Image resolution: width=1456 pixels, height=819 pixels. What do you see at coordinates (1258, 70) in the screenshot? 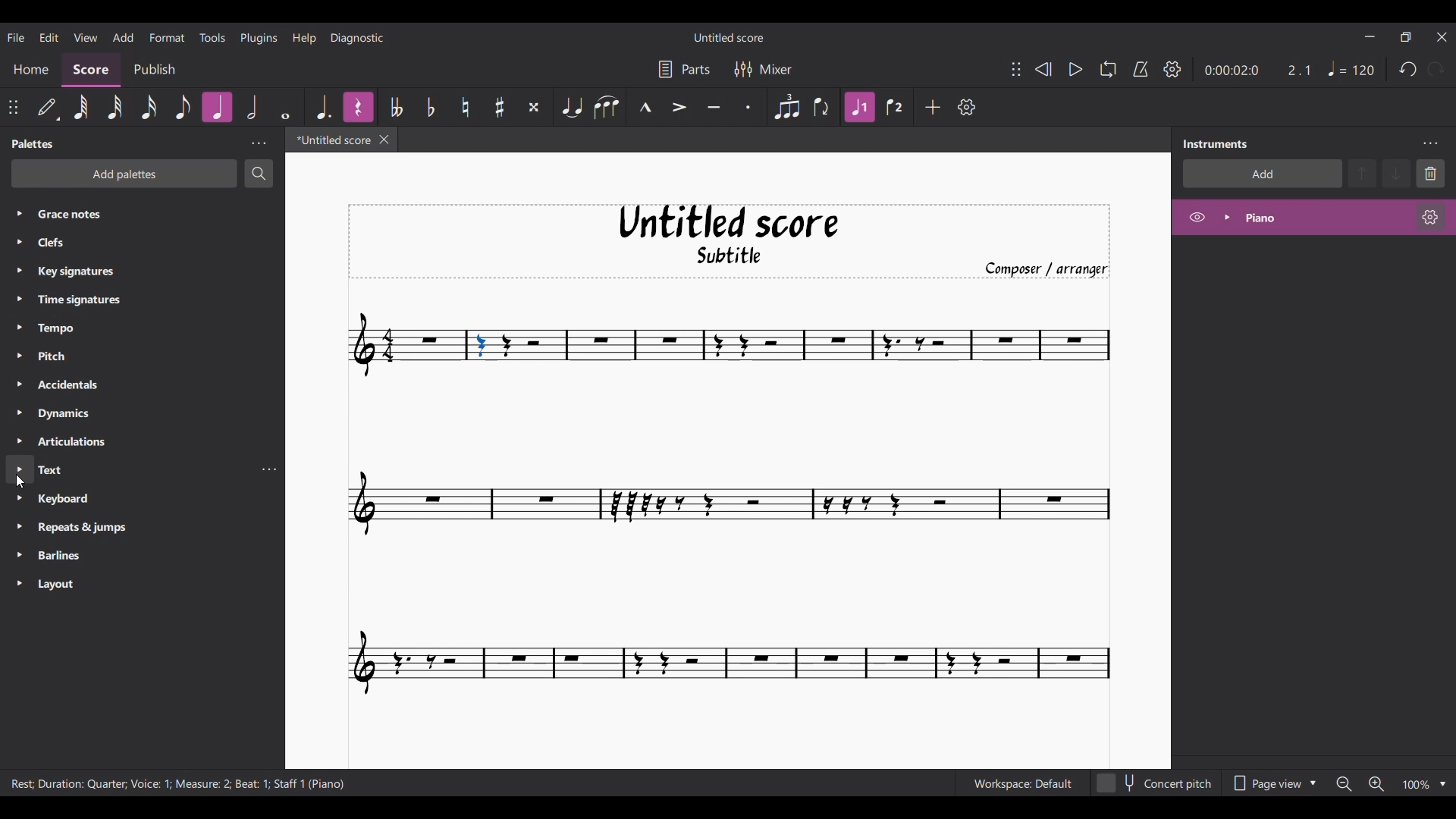
I see `Duration changed after selecting note on score` at bounding box center [1258, 70].